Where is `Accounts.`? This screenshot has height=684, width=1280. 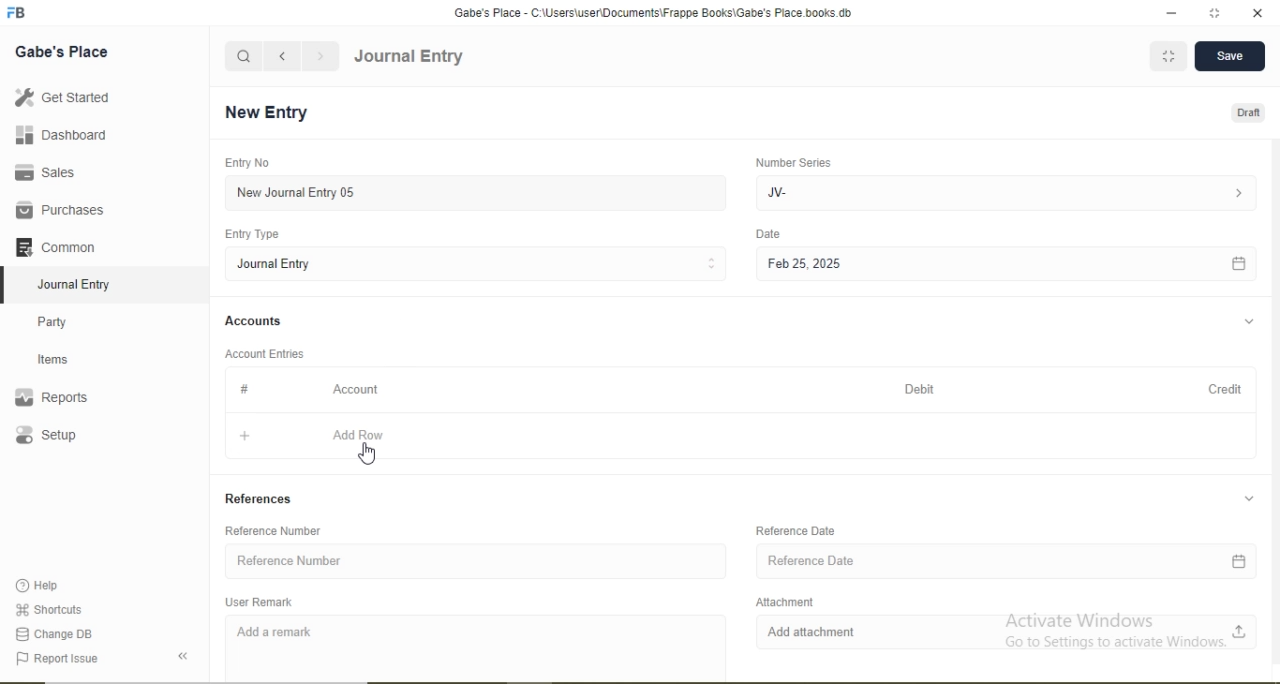 Accounts. is located at coordinates (254, 321).